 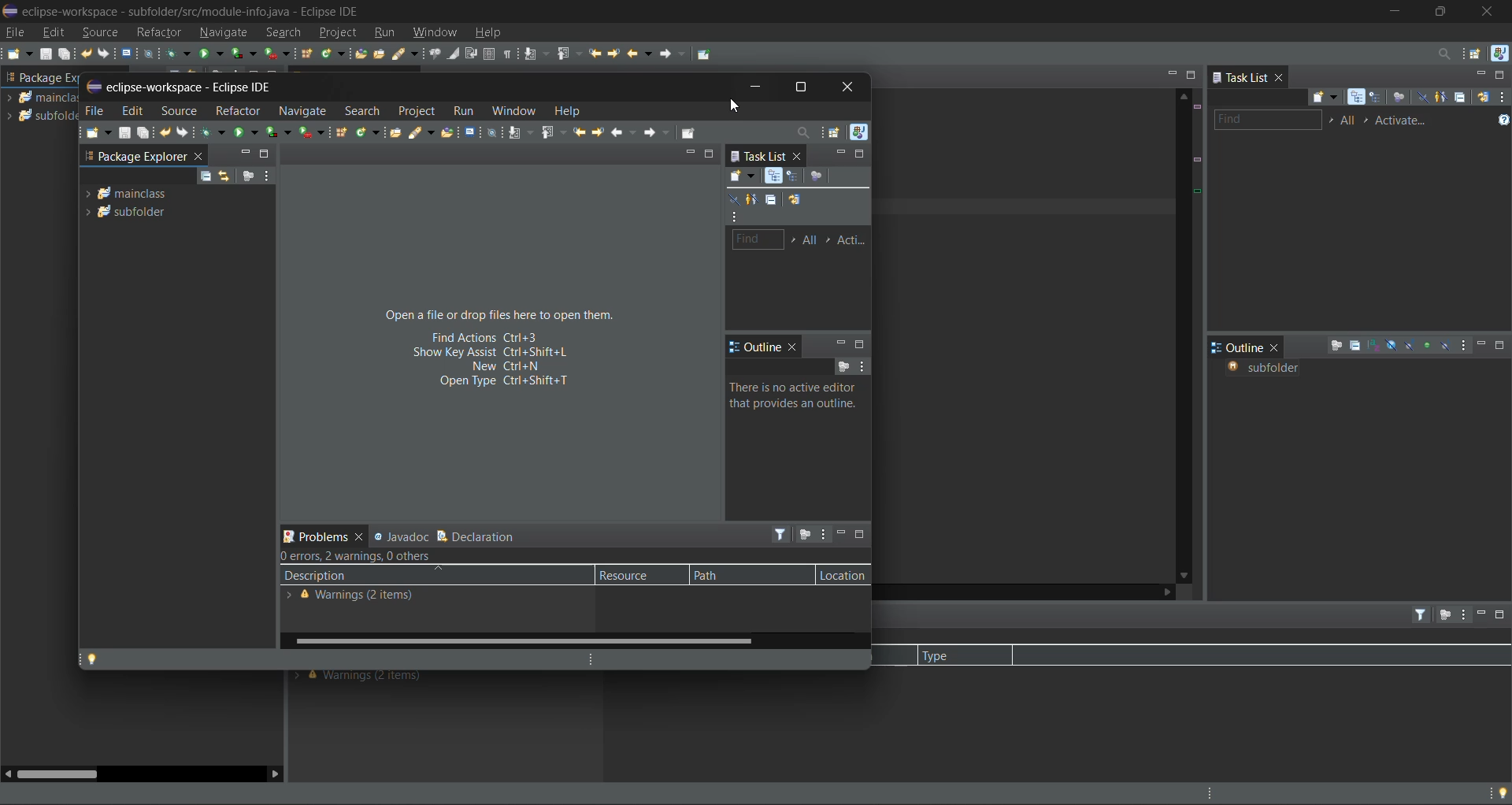 What do you see at coordinates (495, 33) in the screenshot?
I see `help` at bounding box center [495, 33].